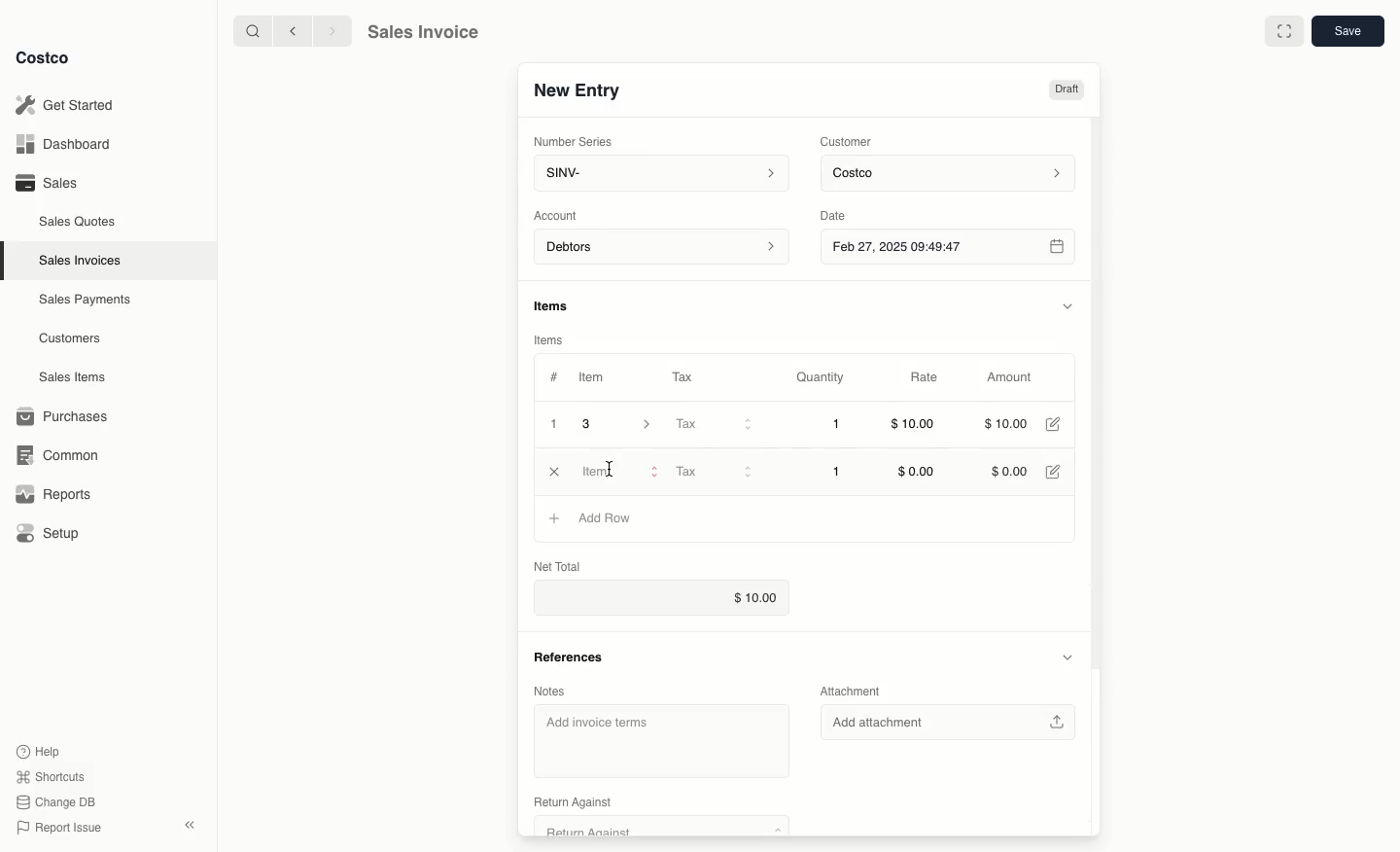 The width and height of the screenshot is (1400, 852). Describe the element at coordinates (44, 58) in the screenshot. I see `Costco` at that location.